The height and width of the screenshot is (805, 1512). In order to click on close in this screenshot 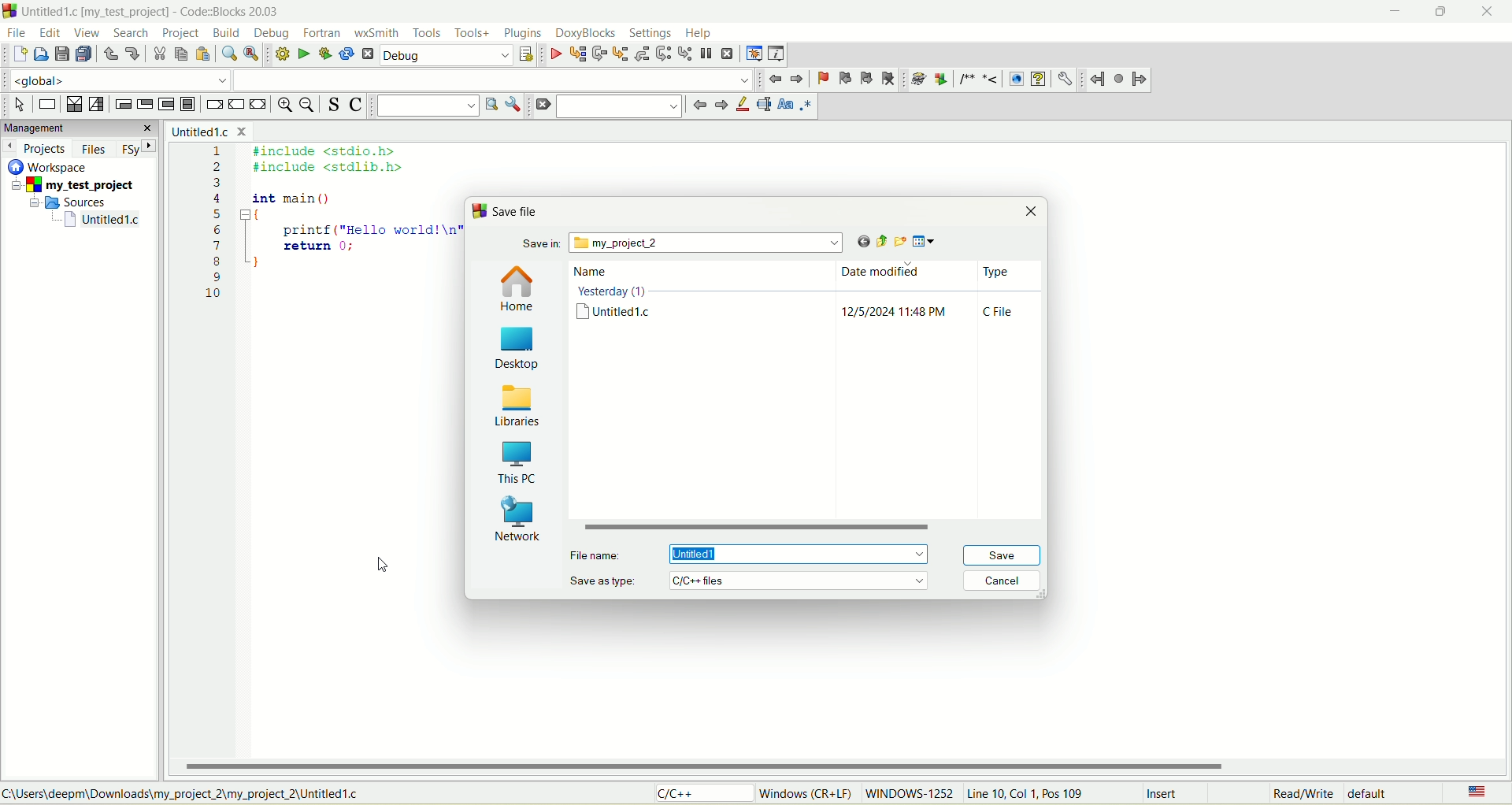, I will do `click(1492, 12)`.